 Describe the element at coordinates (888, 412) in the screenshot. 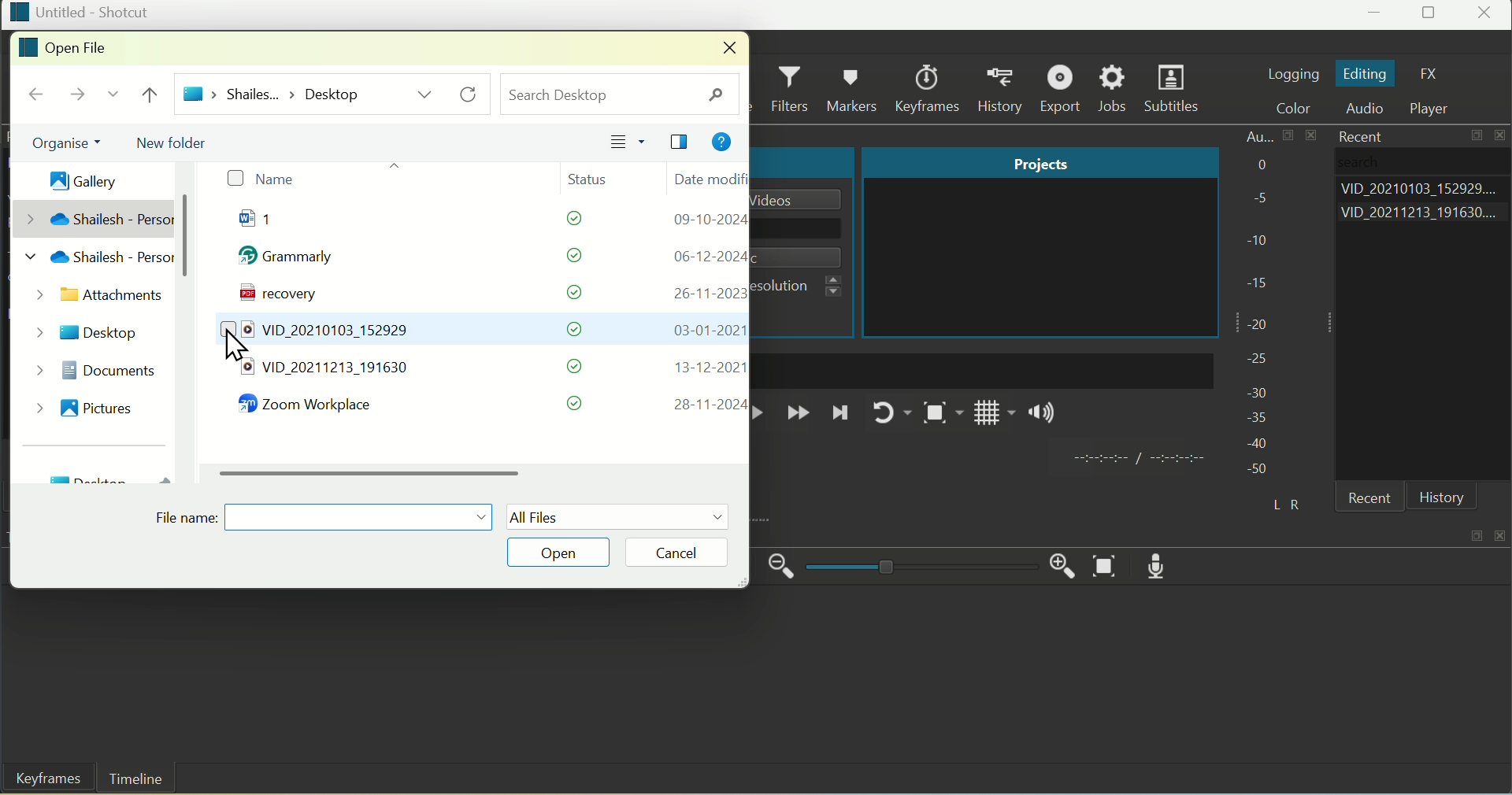

I see `Play Again` at that location.